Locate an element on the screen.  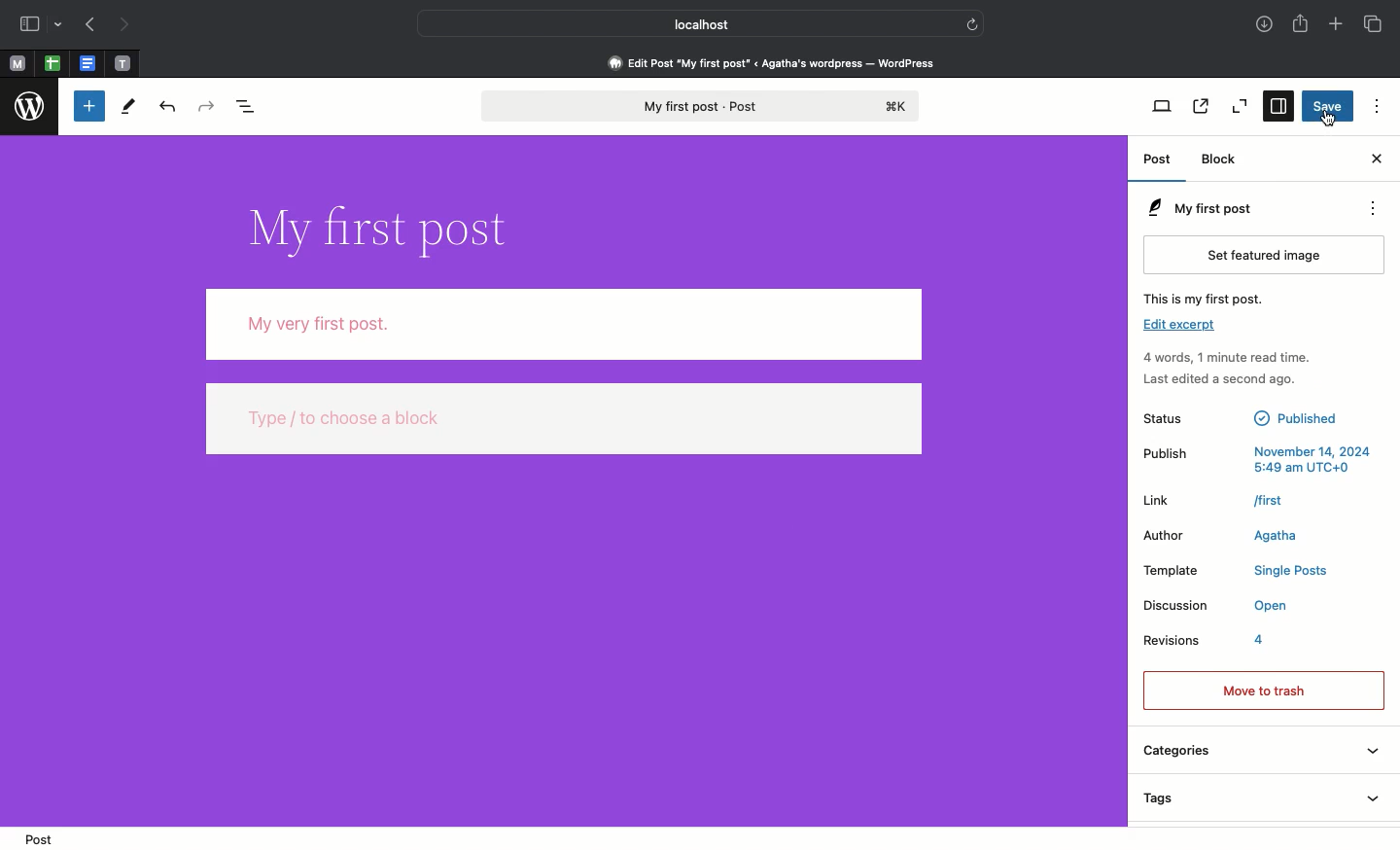
Author is located at coordinates (1236, 537).